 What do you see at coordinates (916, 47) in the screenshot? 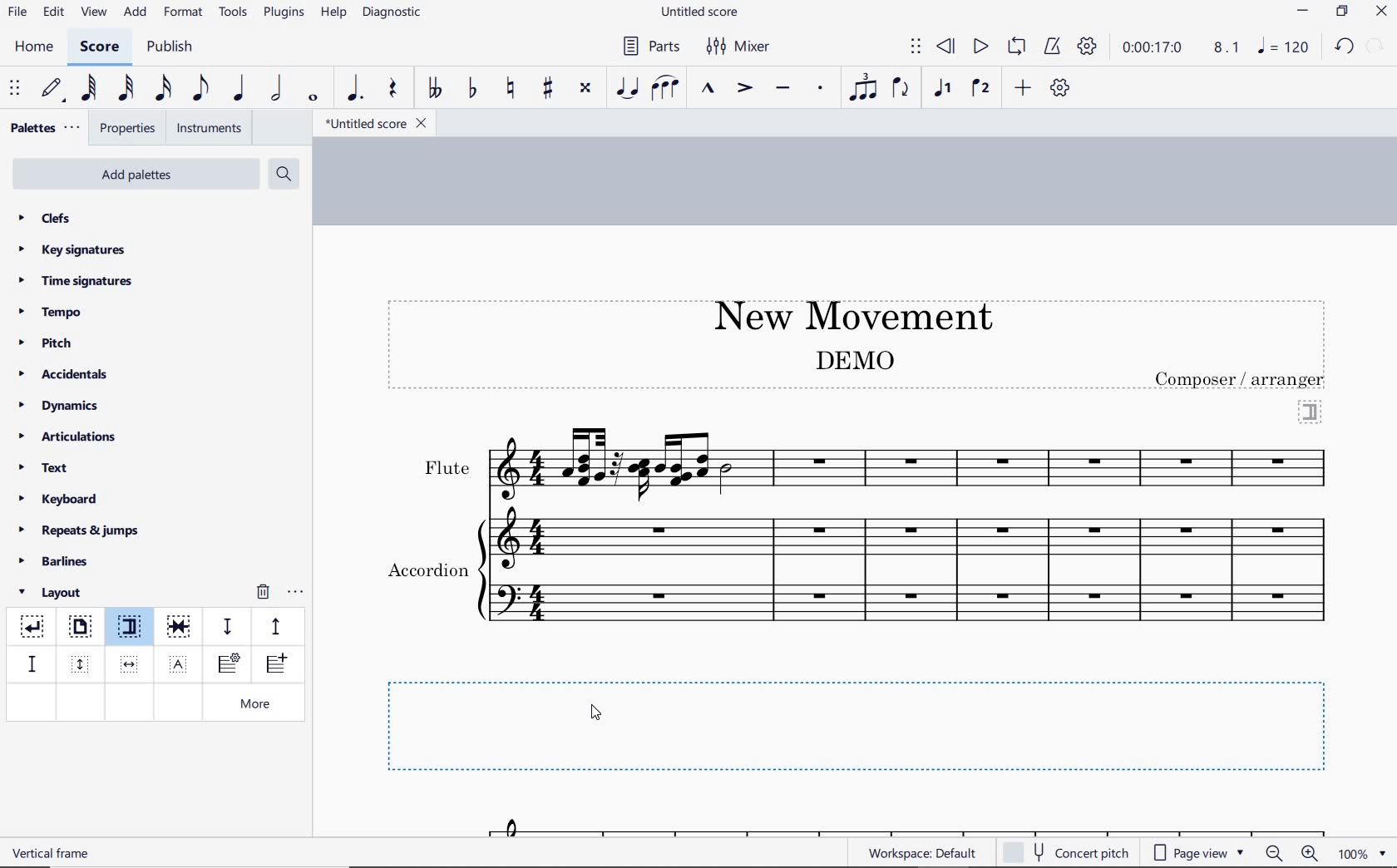
I see `select to move` at bounding box center [916, 47].